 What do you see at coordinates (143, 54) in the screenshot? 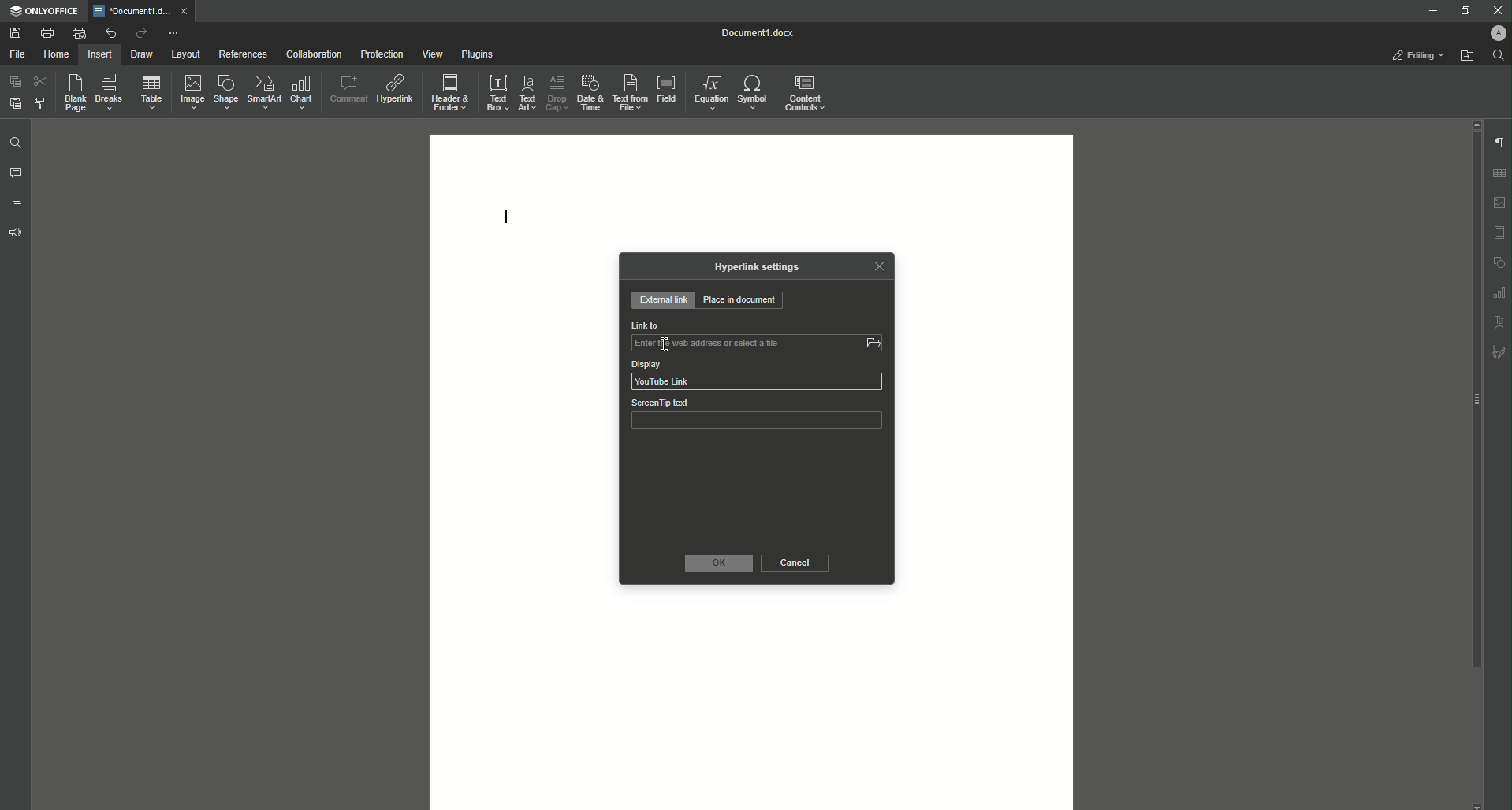
I see `Draw` at bounding box center [143, 54].